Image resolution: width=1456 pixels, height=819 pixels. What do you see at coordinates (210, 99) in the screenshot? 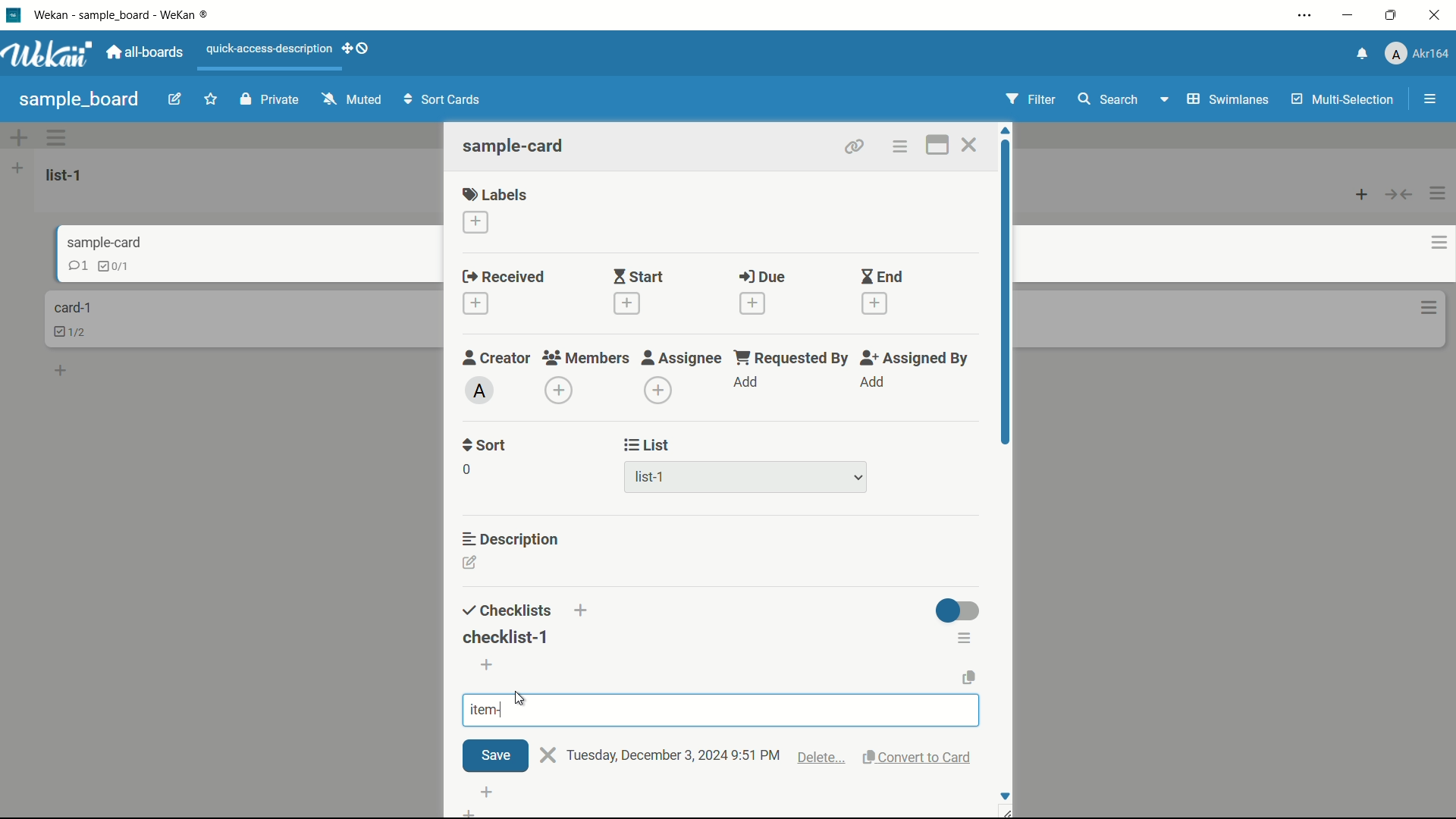
I see `star` at bounding box center [210, 99].